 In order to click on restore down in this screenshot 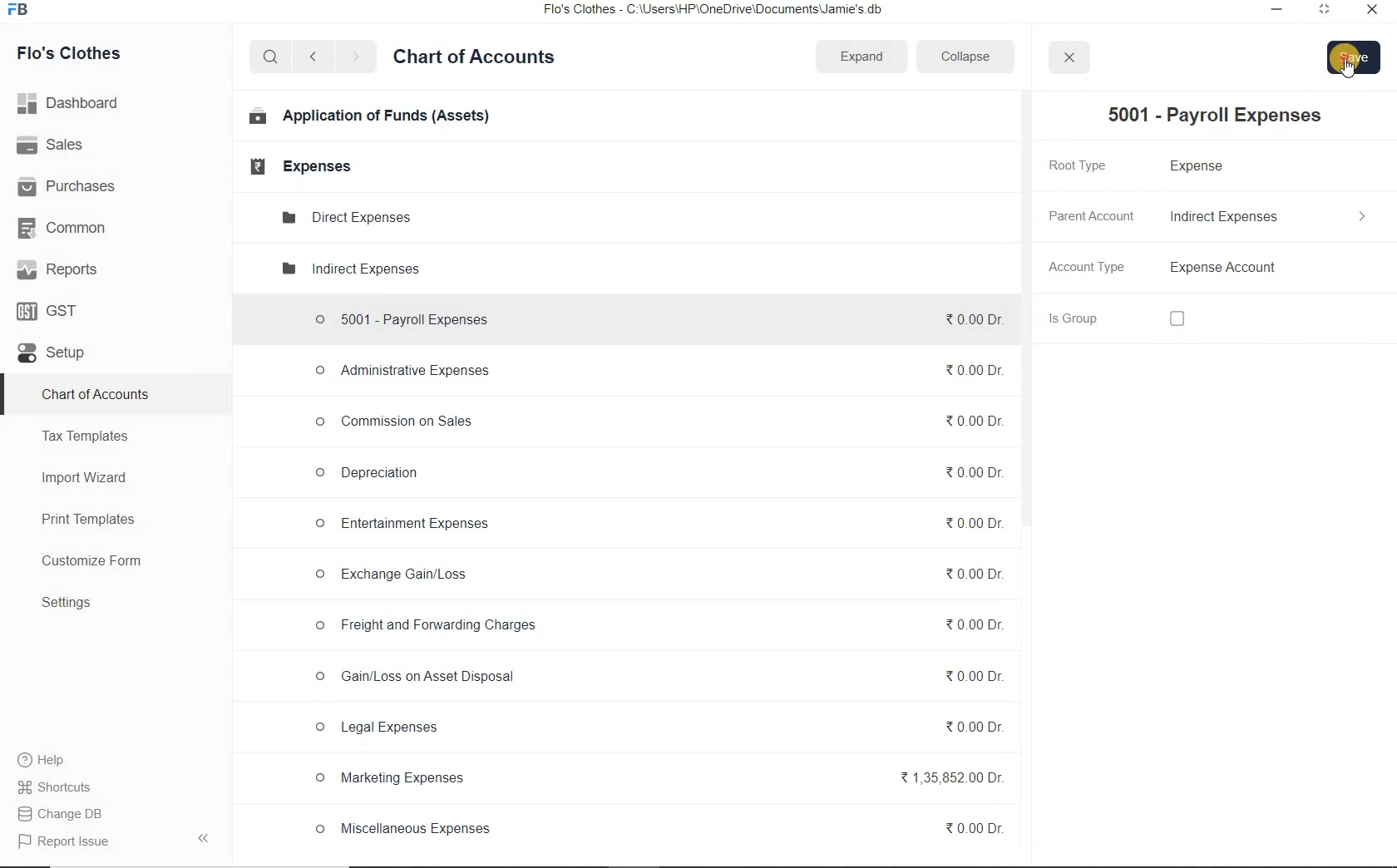, I will do `click(1323, 12)`.